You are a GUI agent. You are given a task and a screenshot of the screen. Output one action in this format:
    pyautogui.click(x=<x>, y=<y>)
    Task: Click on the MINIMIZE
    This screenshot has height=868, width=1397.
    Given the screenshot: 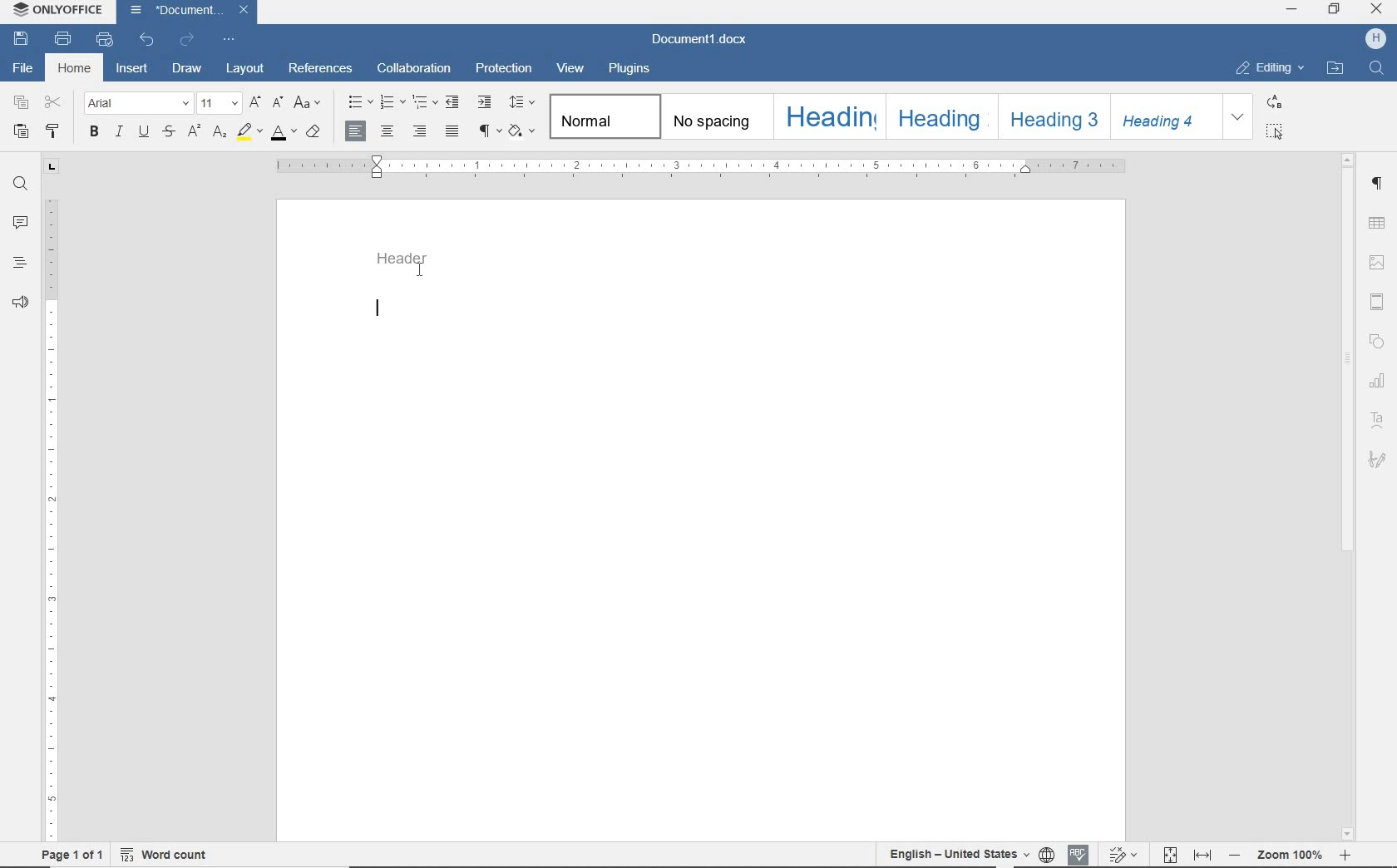 What is the action you would take?
    pyautogui.click(x=1293, y=11)
    